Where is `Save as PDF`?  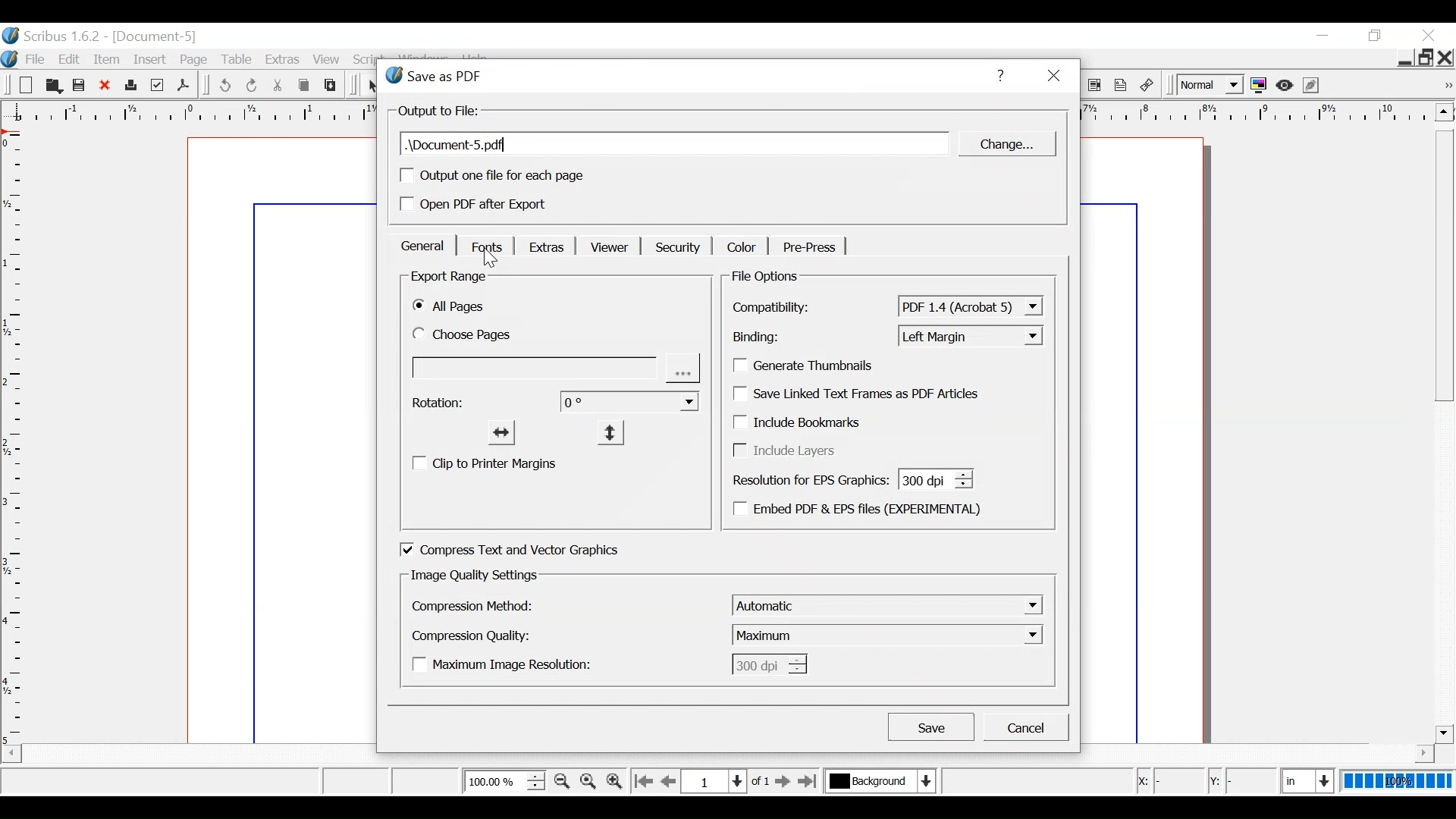
Save as PDF is located at coordinates (670, 75).